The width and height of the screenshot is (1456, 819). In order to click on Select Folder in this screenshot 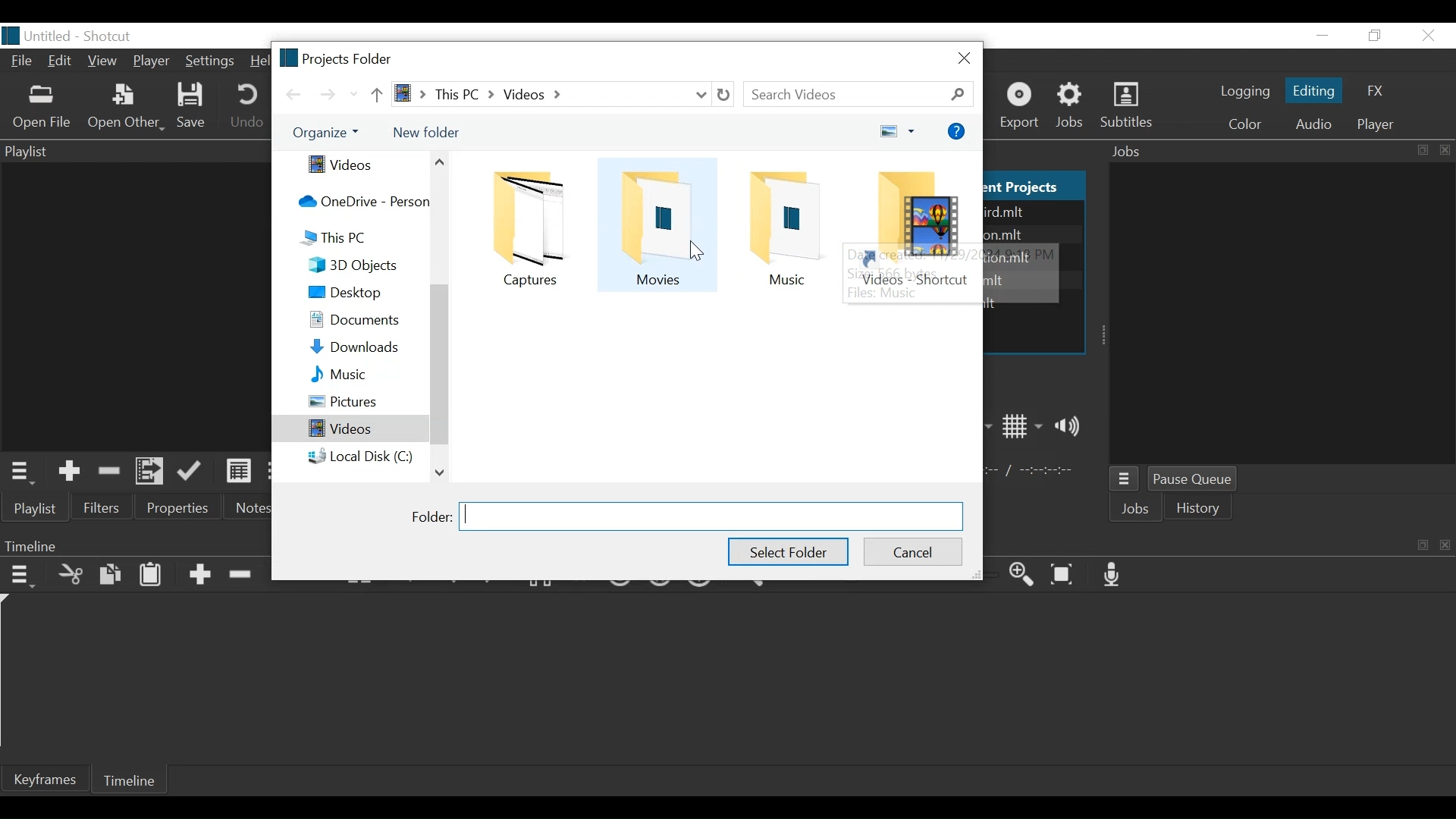, I will do `click(789, 551)`.